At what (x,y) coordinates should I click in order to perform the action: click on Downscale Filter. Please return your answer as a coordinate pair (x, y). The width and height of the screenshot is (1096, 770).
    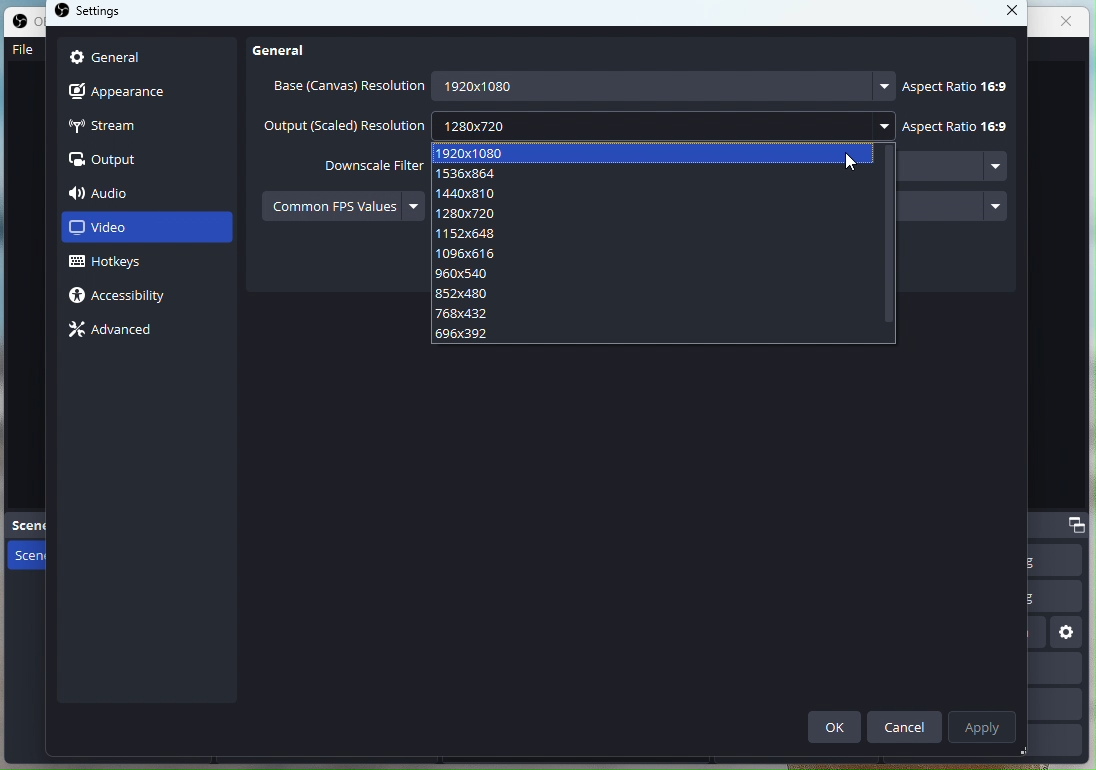
    Looking at the image, I should click on (358, 164).